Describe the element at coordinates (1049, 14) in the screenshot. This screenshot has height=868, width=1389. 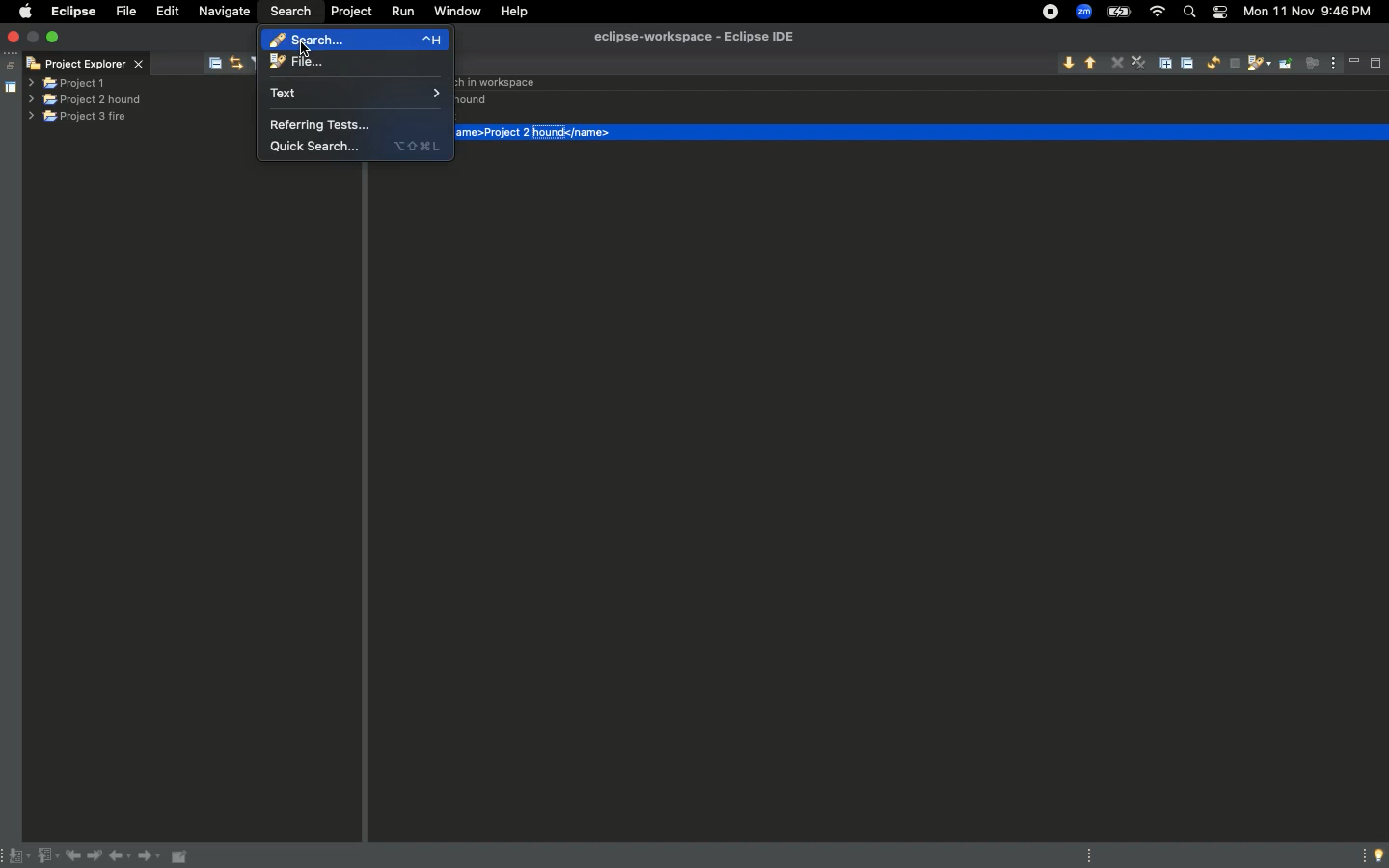
I see `Recording` at that location.